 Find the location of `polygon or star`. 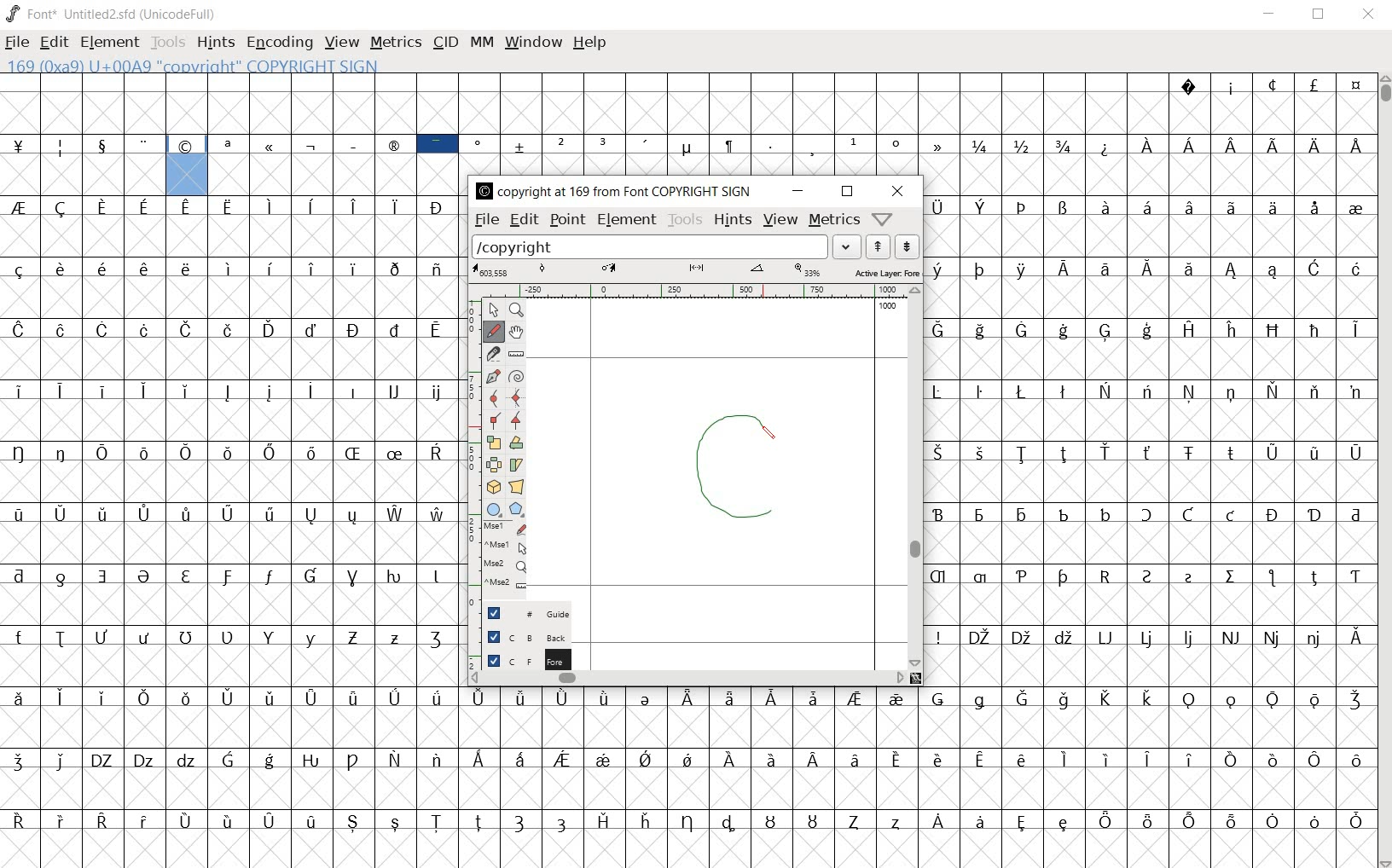

polygon or star is located at coordinates (516, 510).